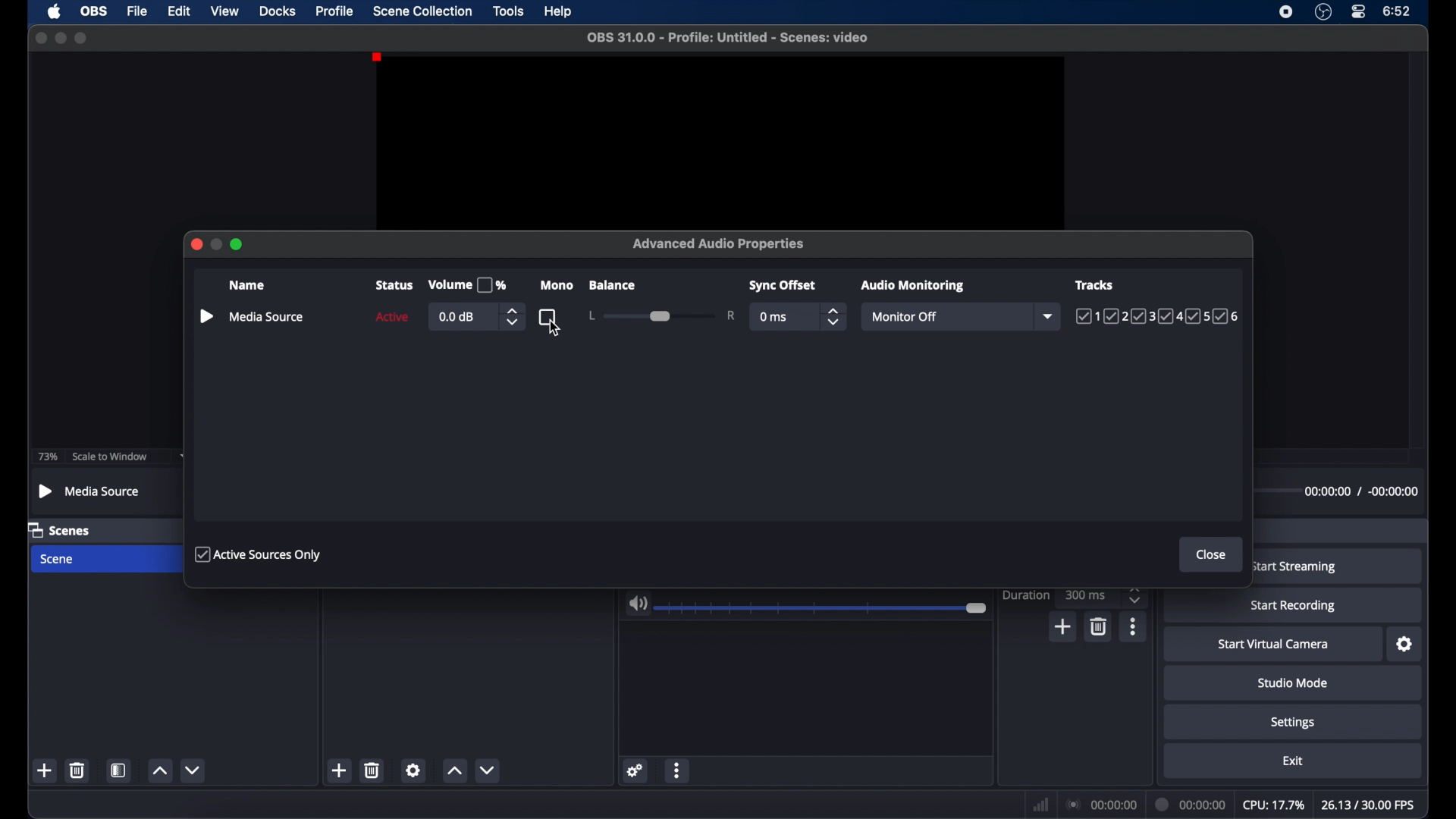 This screenshot has height=819, width=1456. Describe the element at coordinates (783, 286) in the screenshot. I see `sync offset` at that location.